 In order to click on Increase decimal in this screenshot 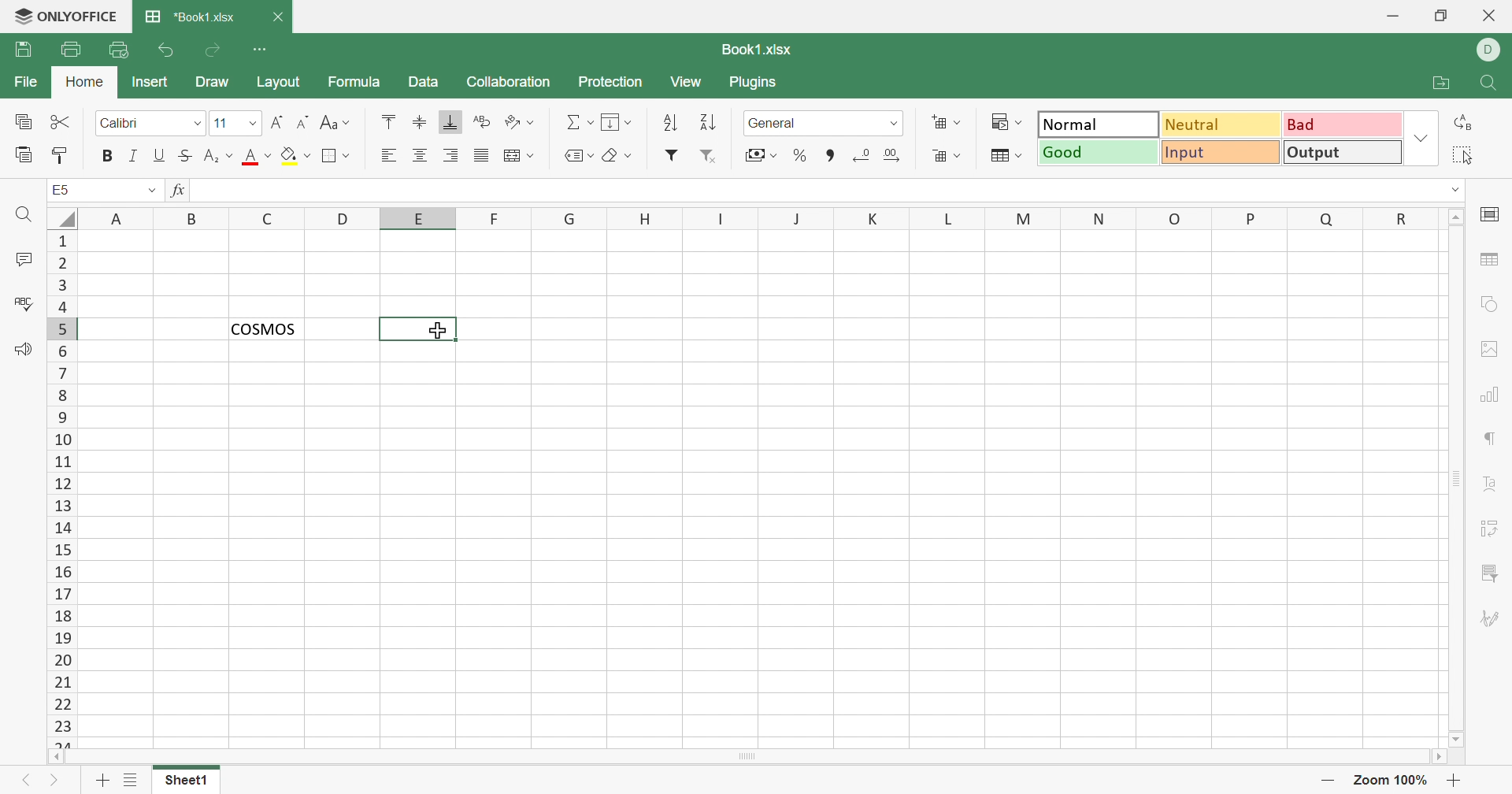, I will do `click(891, 155)`.